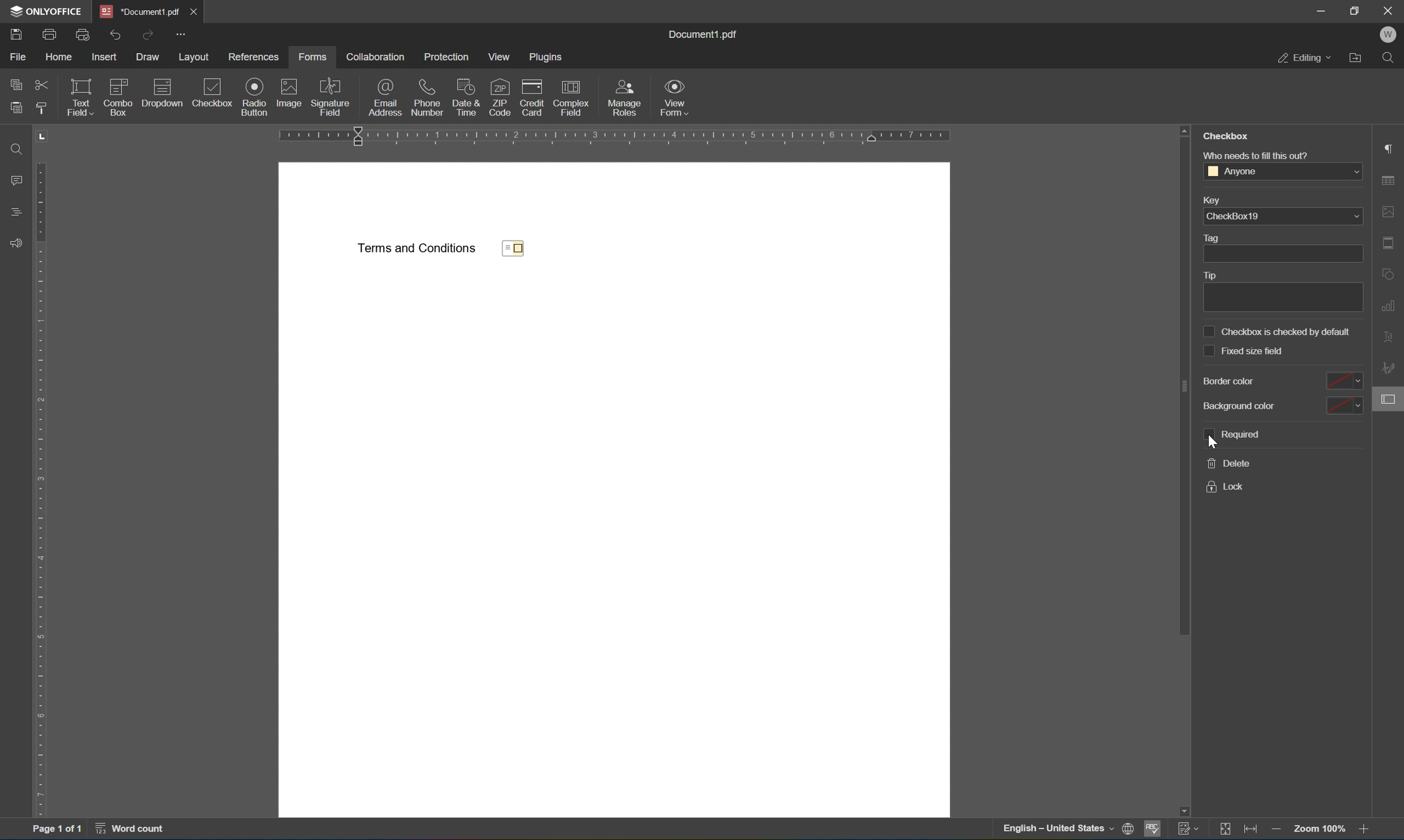  I want to click on background color, so click(1281, 405).